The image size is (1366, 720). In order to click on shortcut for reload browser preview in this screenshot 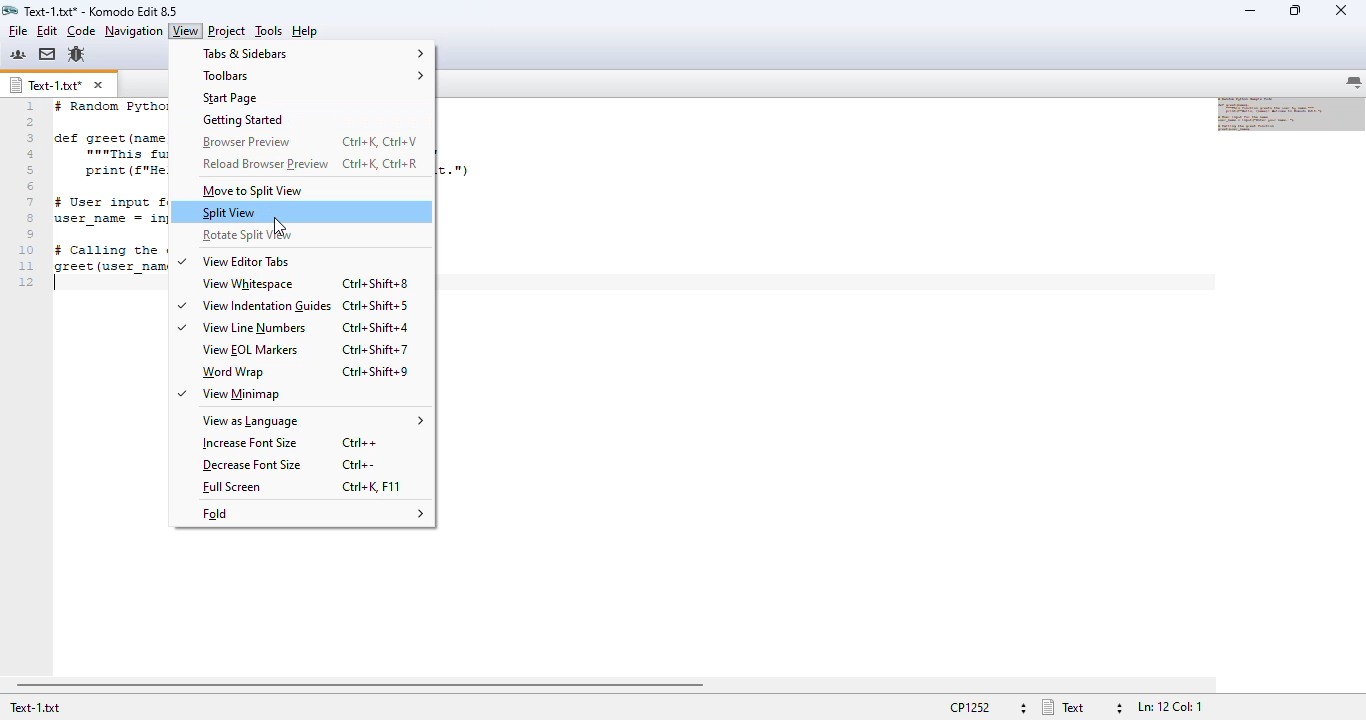, I will do `click(381, 163)`.